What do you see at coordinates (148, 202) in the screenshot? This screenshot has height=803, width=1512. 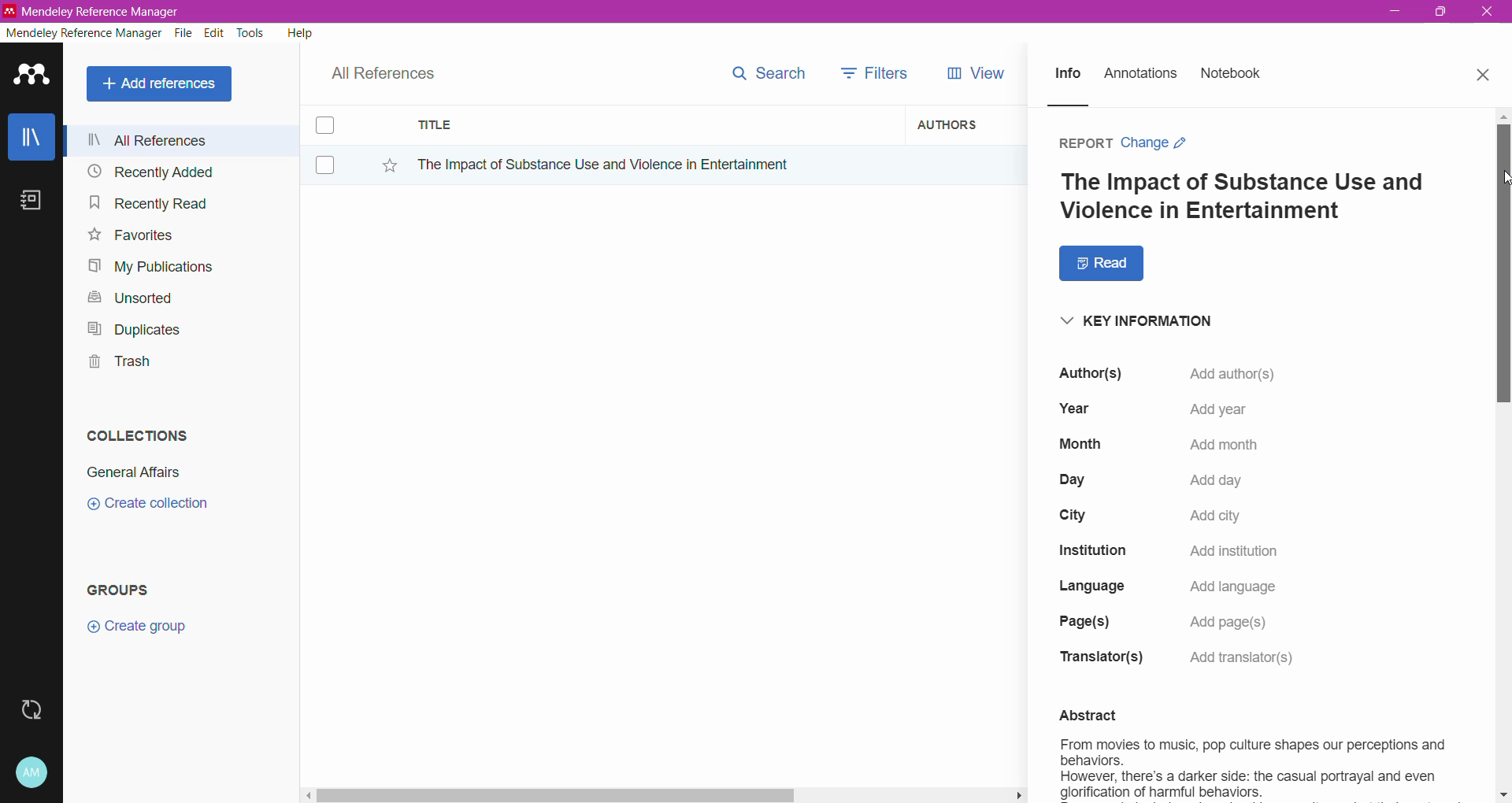 I see `Recently Read` at bounding box center [148, 202].